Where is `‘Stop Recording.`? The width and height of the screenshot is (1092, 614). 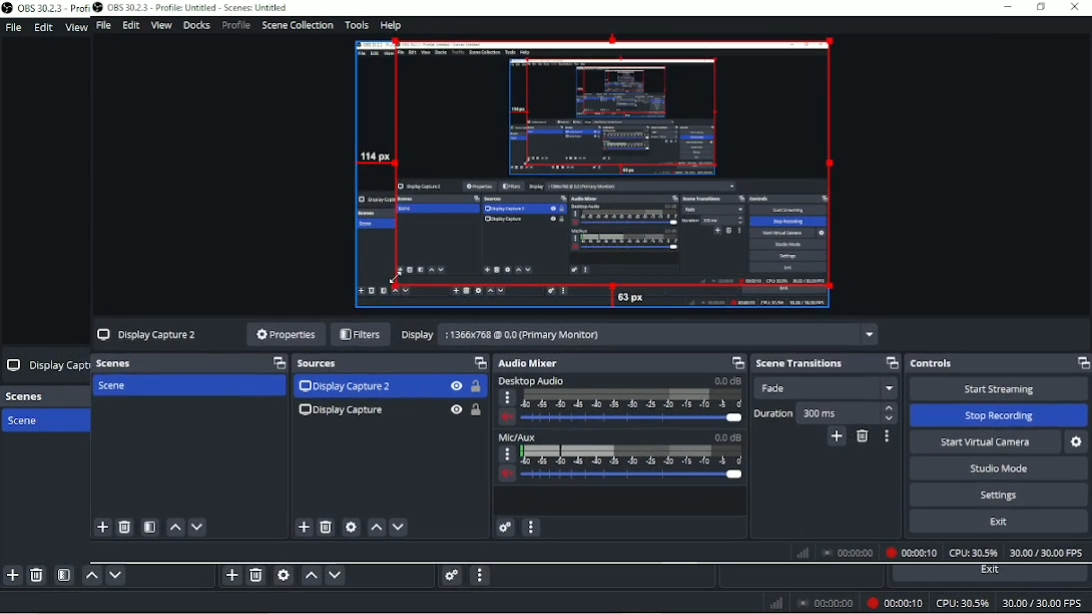
‘Stop Recording. is located at coordinates (993, 414).